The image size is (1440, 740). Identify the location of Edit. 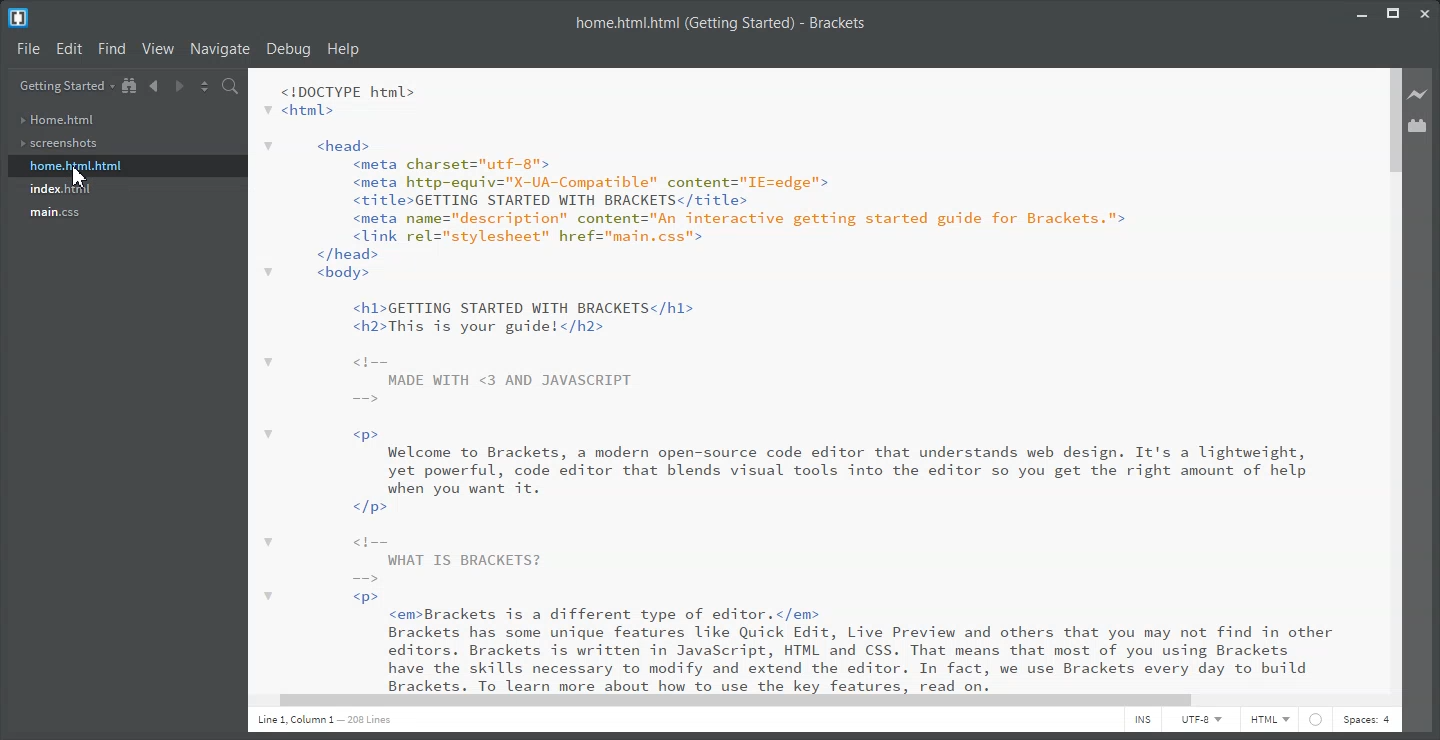
(71, 49).